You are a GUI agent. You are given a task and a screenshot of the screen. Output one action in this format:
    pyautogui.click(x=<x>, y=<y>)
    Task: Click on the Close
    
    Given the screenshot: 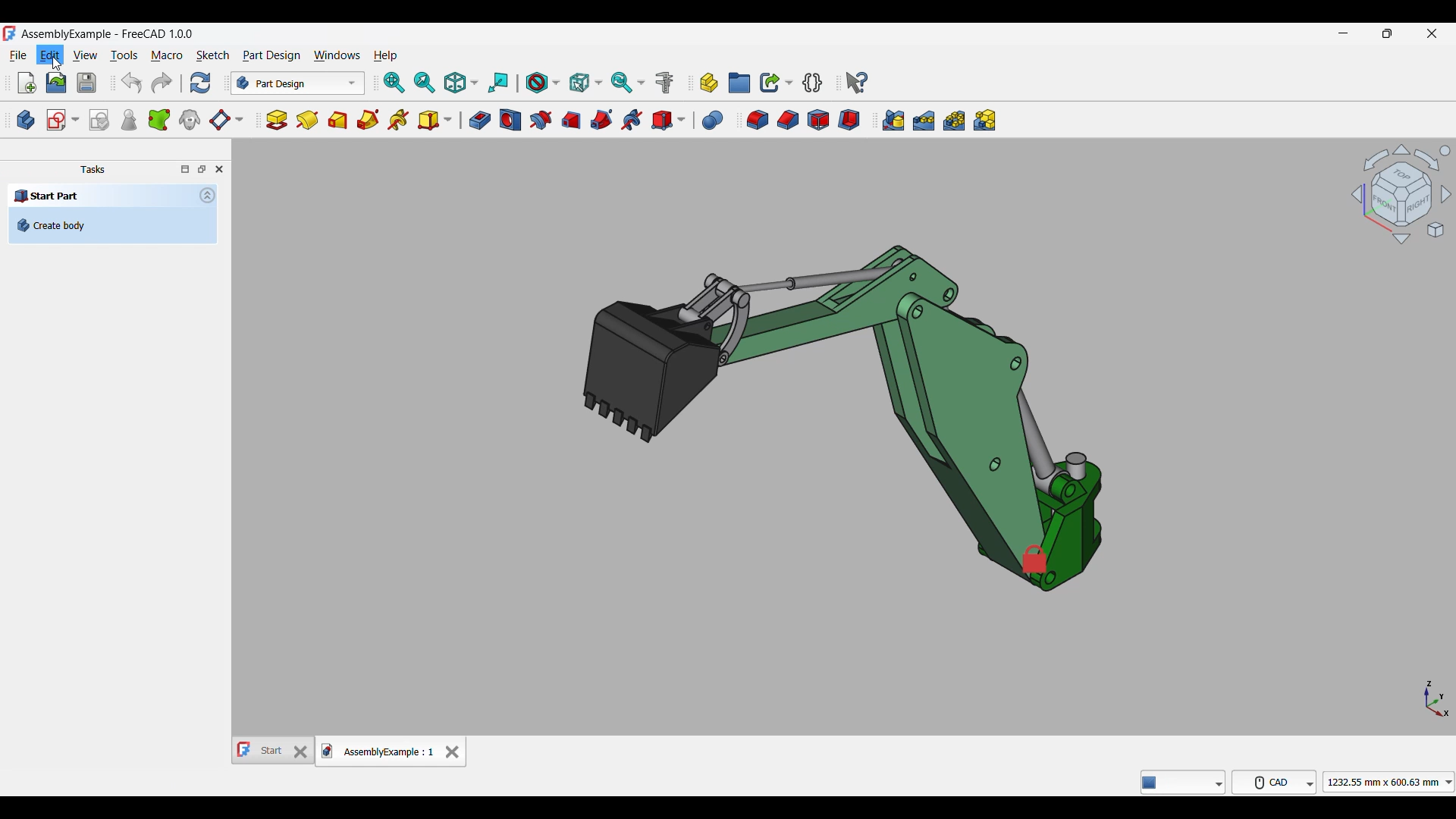 What is the action you would take?
    pyautogui.click(x=218, y=169)
    